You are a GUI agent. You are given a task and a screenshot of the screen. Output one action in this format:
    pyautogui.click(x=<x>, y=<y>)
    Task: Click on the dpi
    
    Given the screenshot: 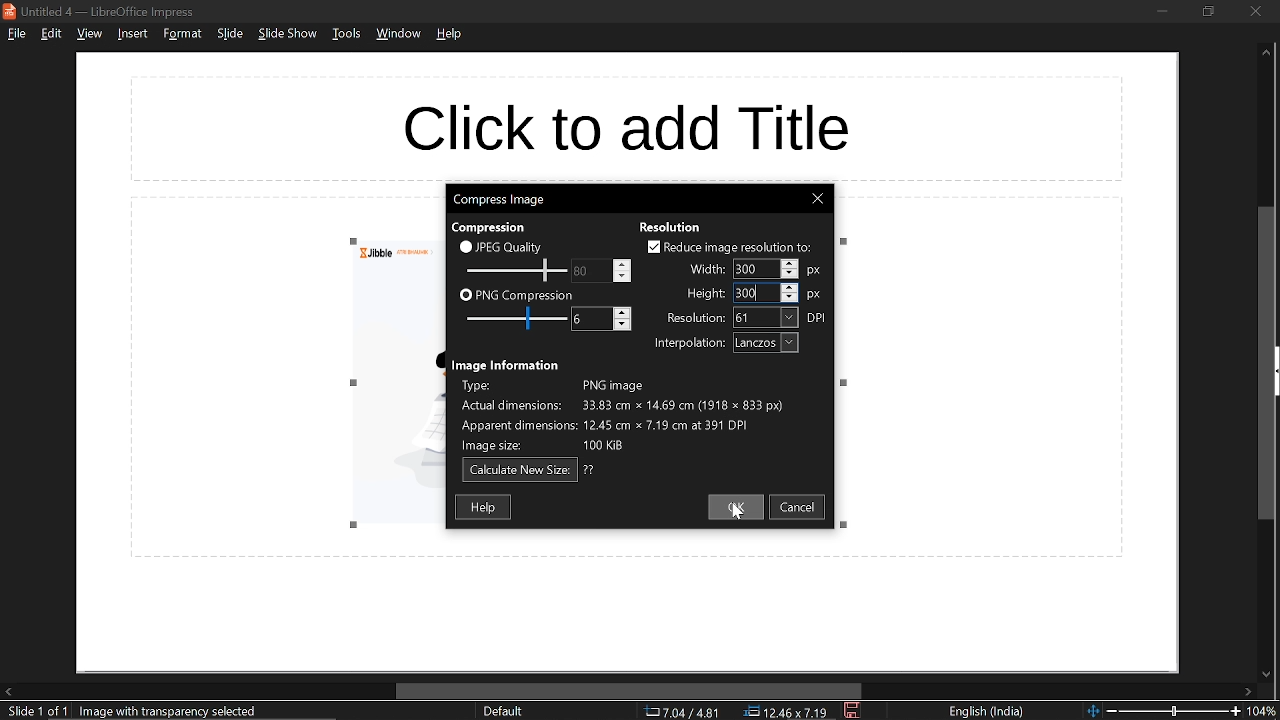 What is the action you would take?
    pyautogui.click(x=819, y=318)
    